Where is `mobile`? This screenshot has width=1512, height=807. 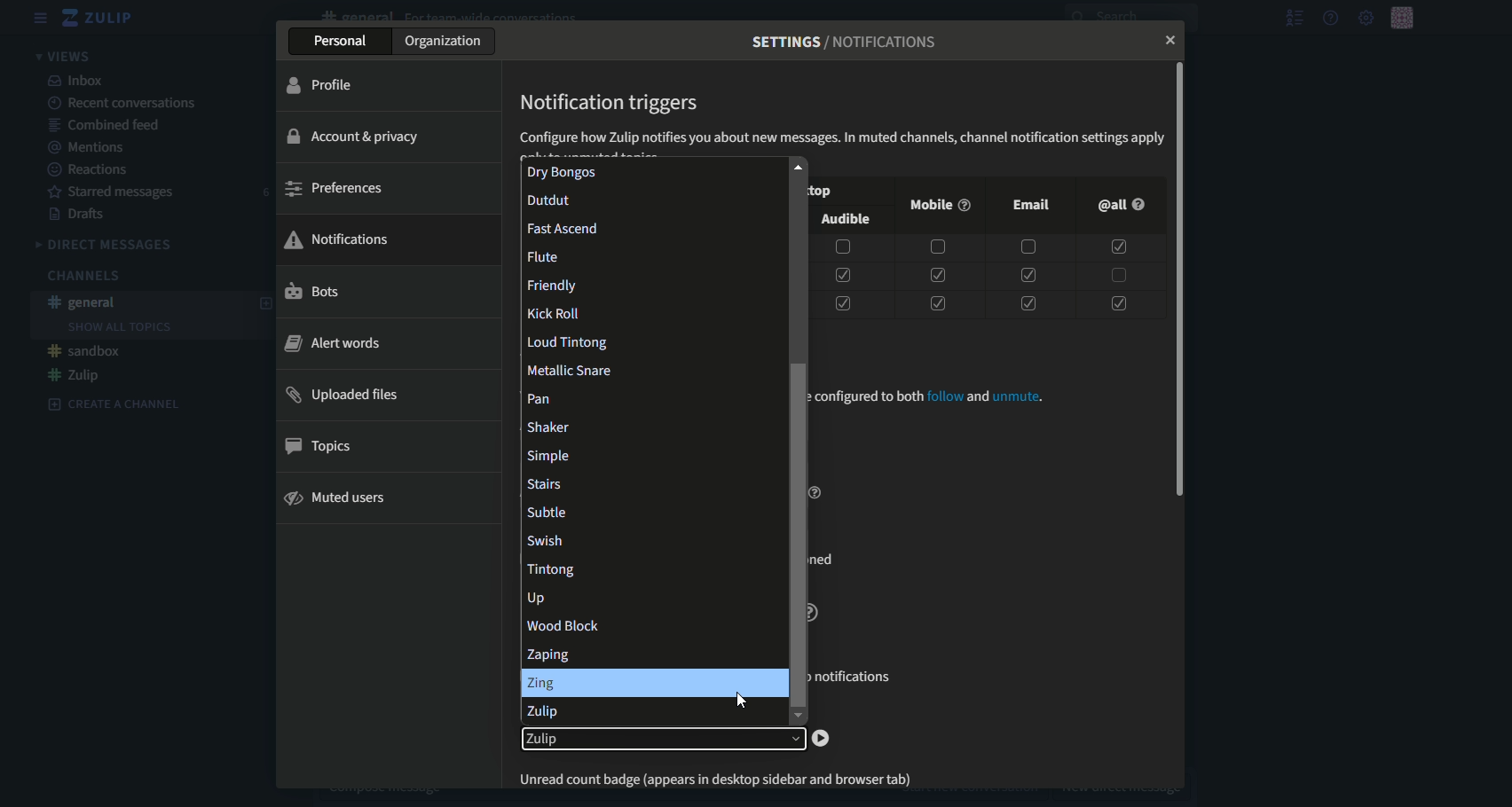 mobile is located at coordinates (937, 206).